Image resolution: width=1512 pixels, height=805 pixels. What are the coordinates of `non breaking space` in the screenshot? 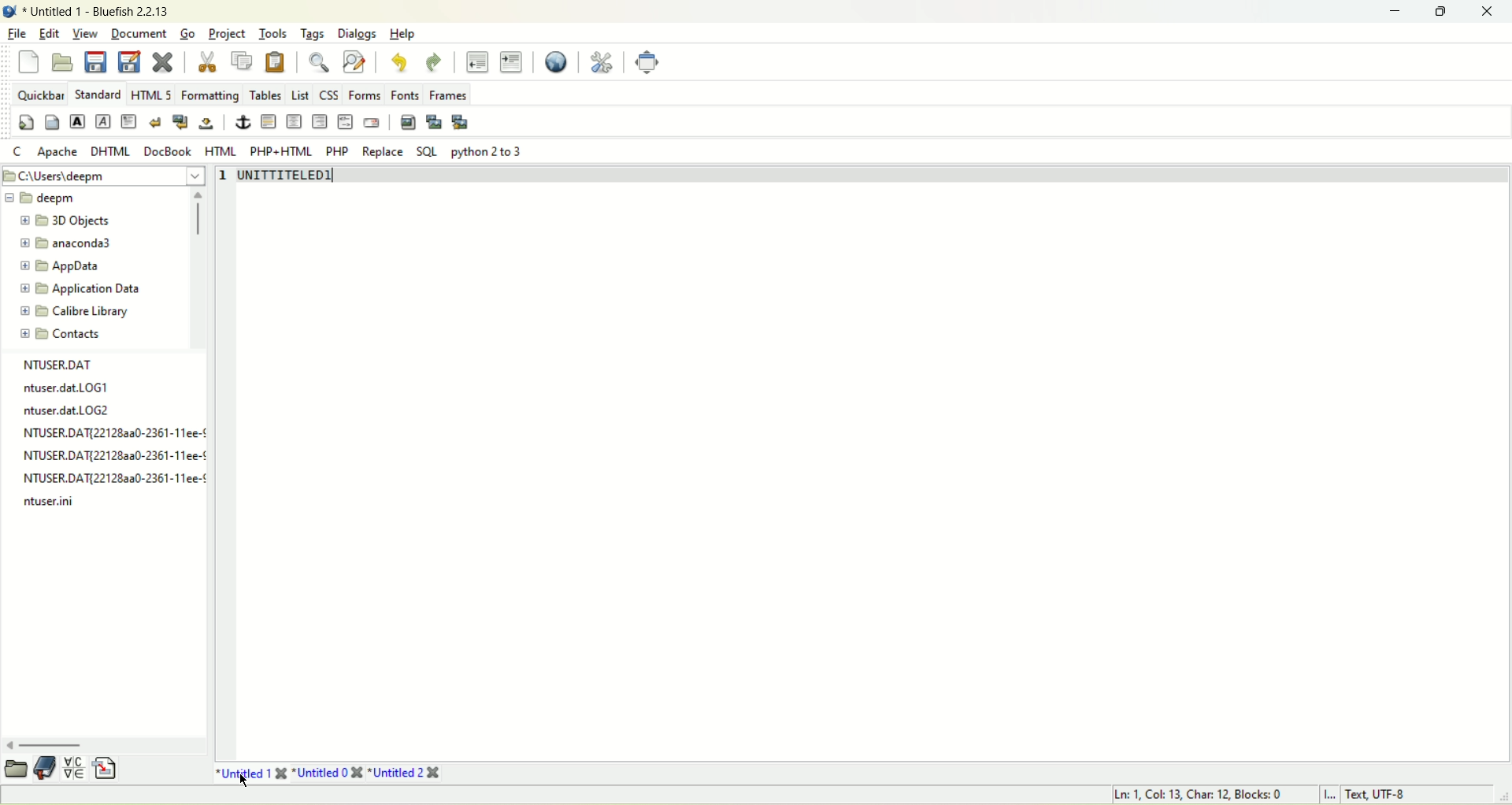 It's located at (212, 122).